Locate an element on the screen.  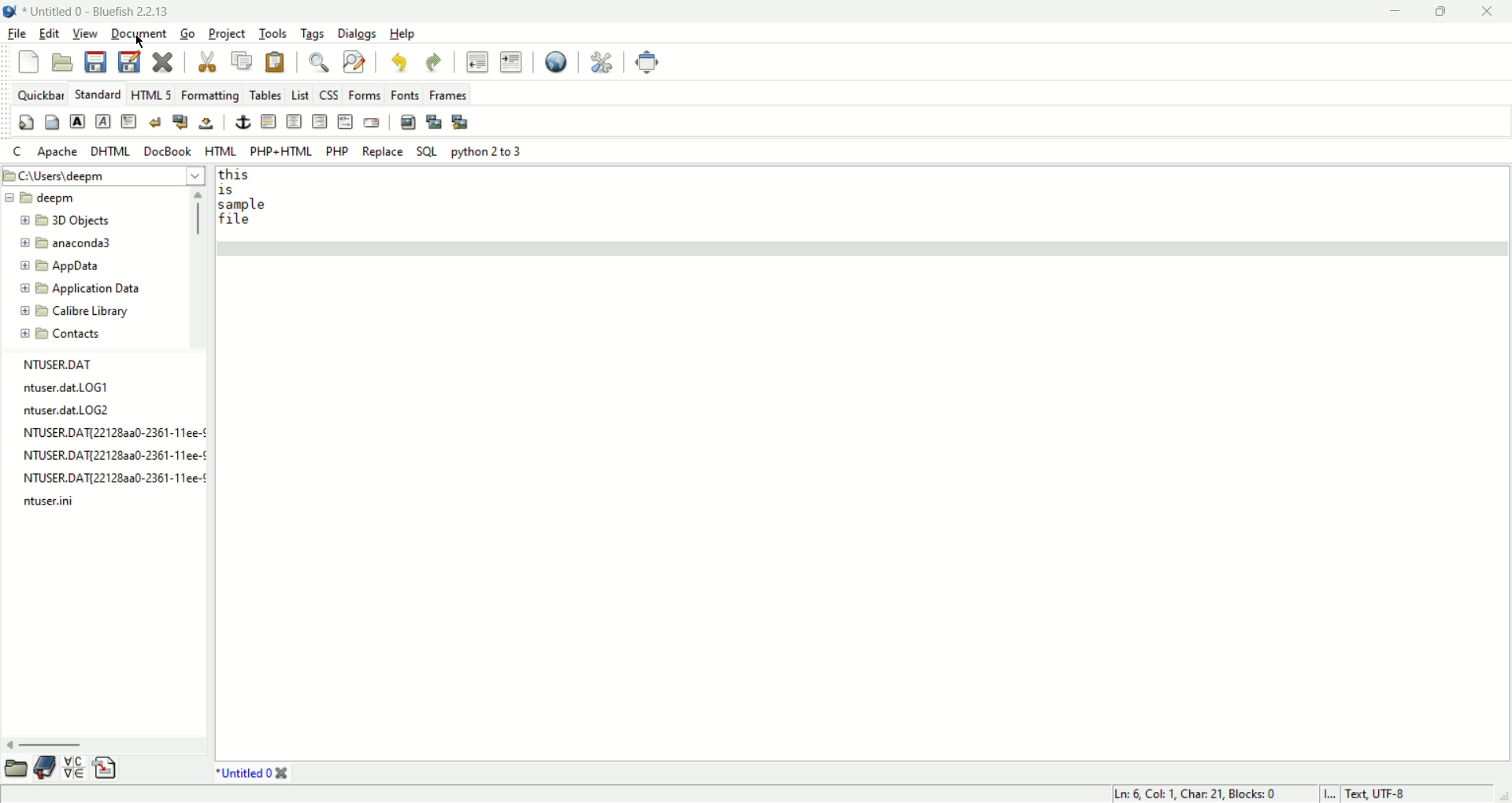
deepm is located at coordinates (46, 199).